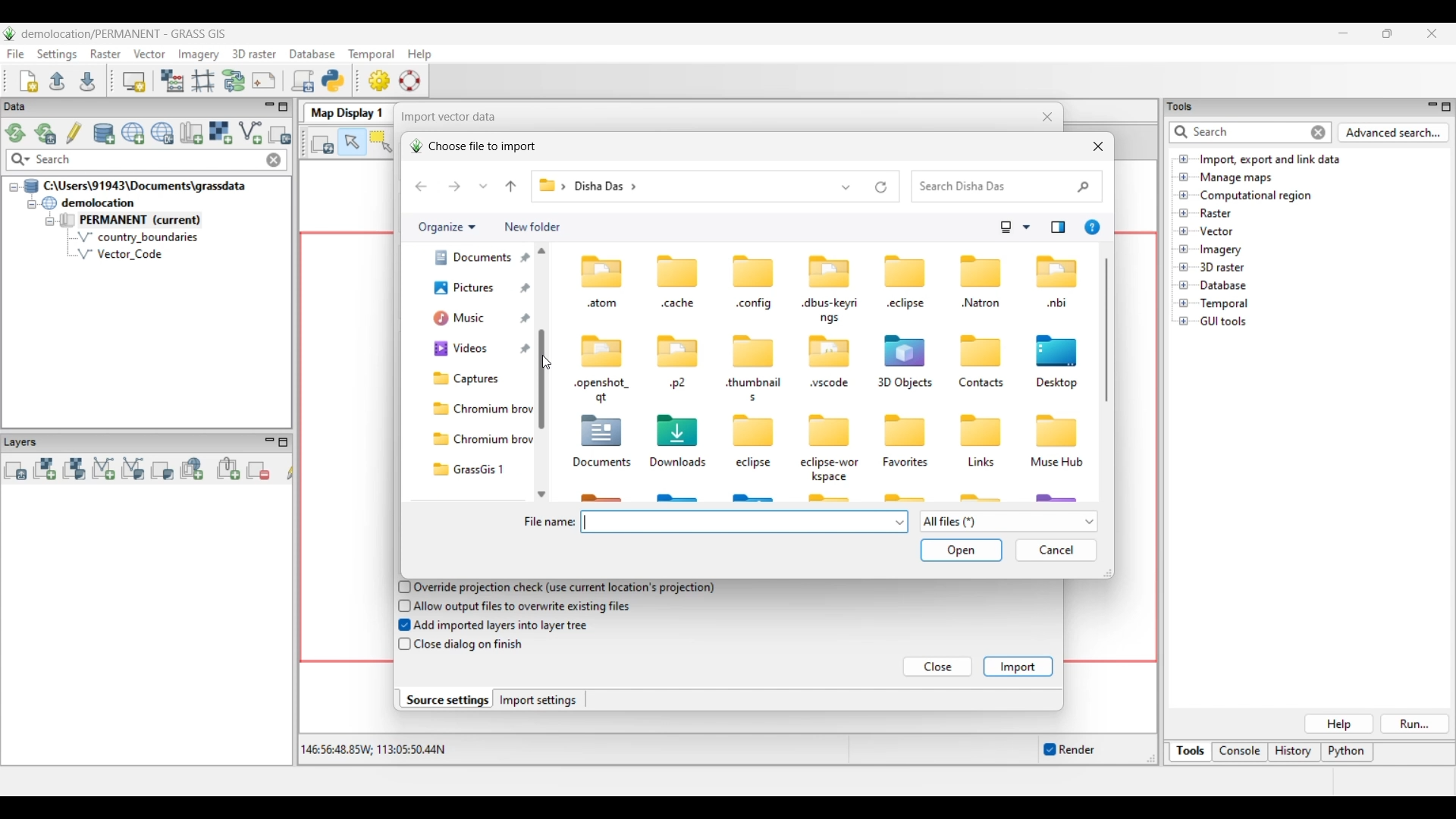  I want to click on icon, so click(679, 428).